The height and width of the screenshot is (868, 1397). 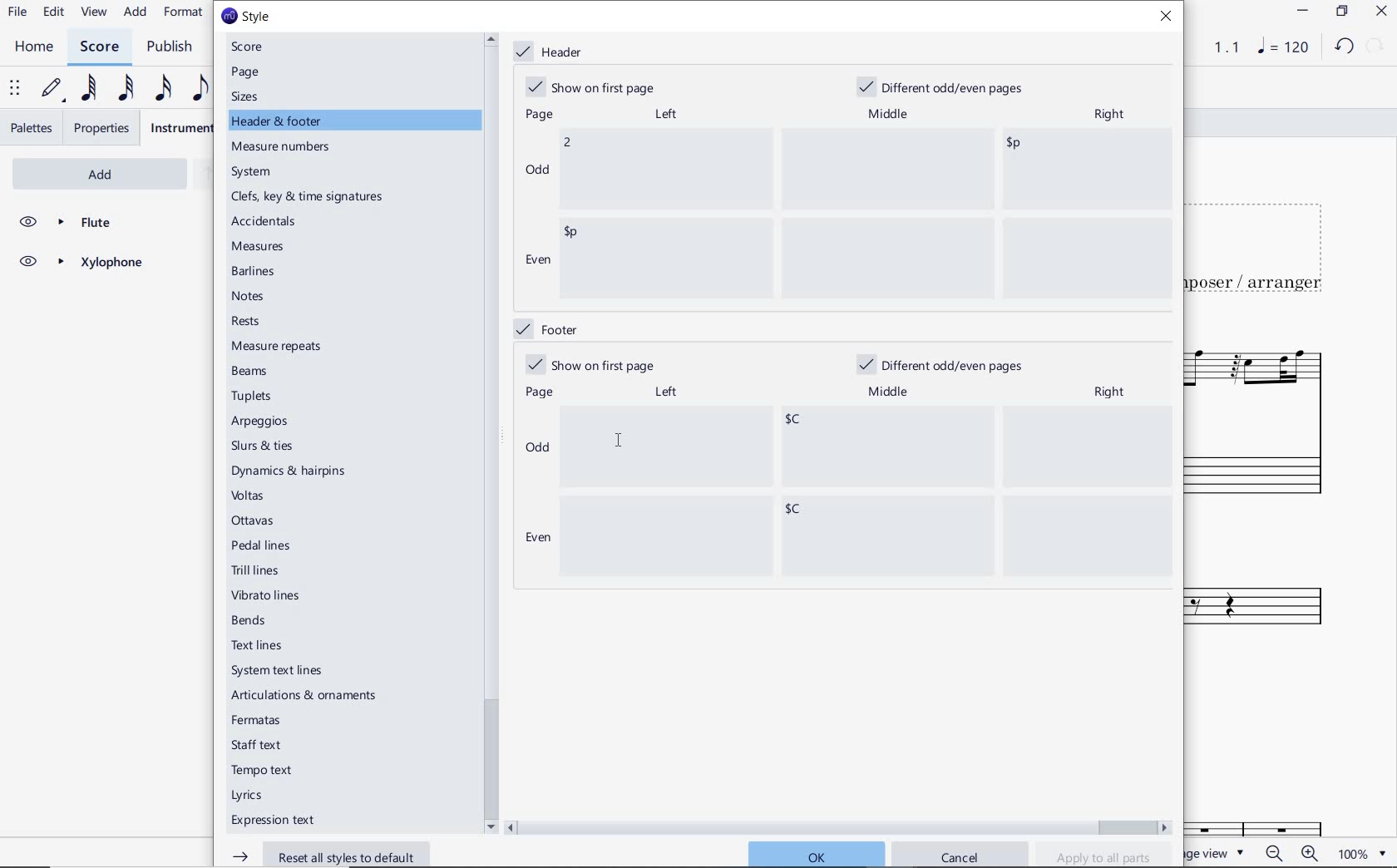 What do you see at coordinates (251, 796) in the screenshot?
I see `Lyrics` at bounding box center [251, 796].